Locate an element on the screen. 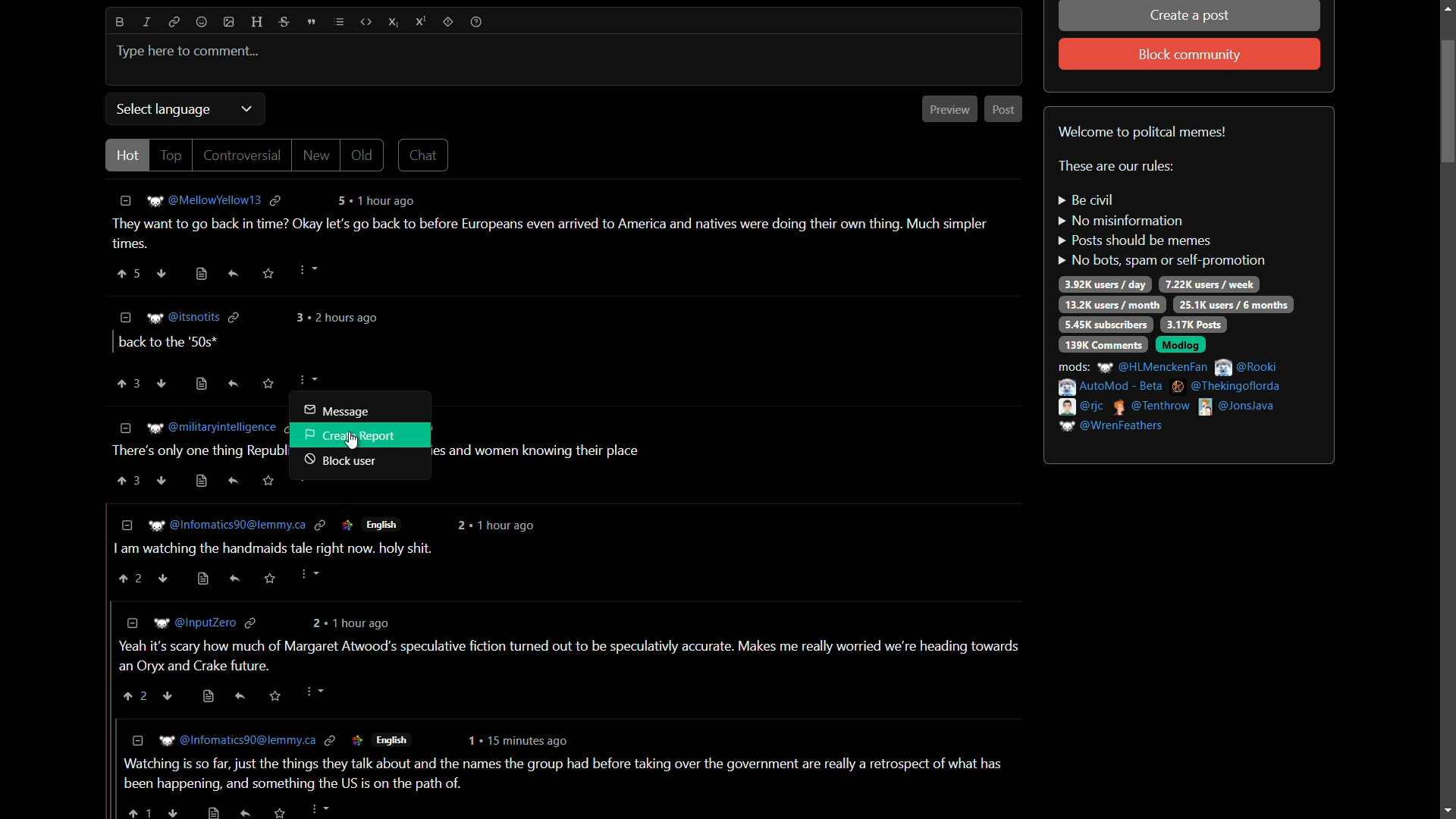 This screenshot has height=819, width=1456. 25.1k users/6 months is located at coordinates (1234, 306).